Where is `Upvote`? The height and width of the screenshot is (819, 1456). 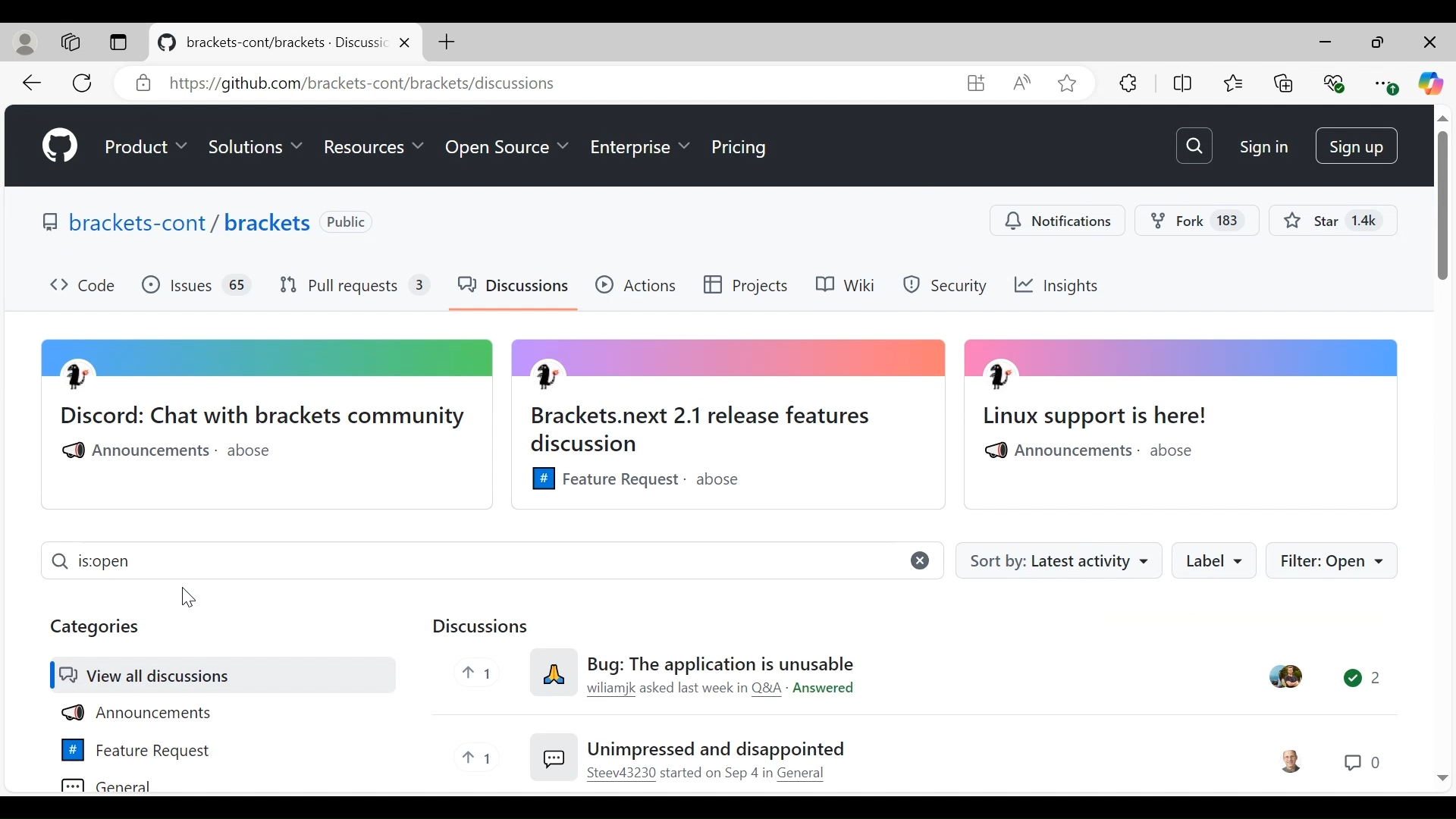
Upvote is located at coordinates (474, 675).